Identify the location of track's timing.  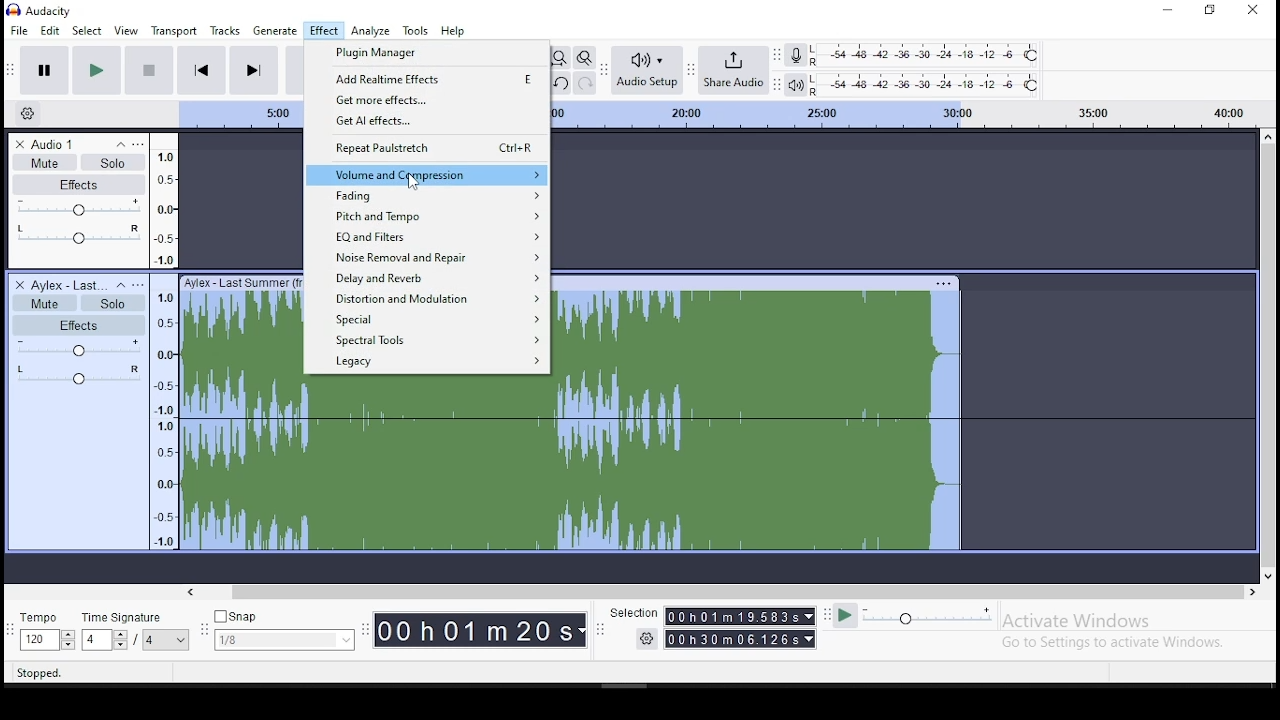
(240, 115).